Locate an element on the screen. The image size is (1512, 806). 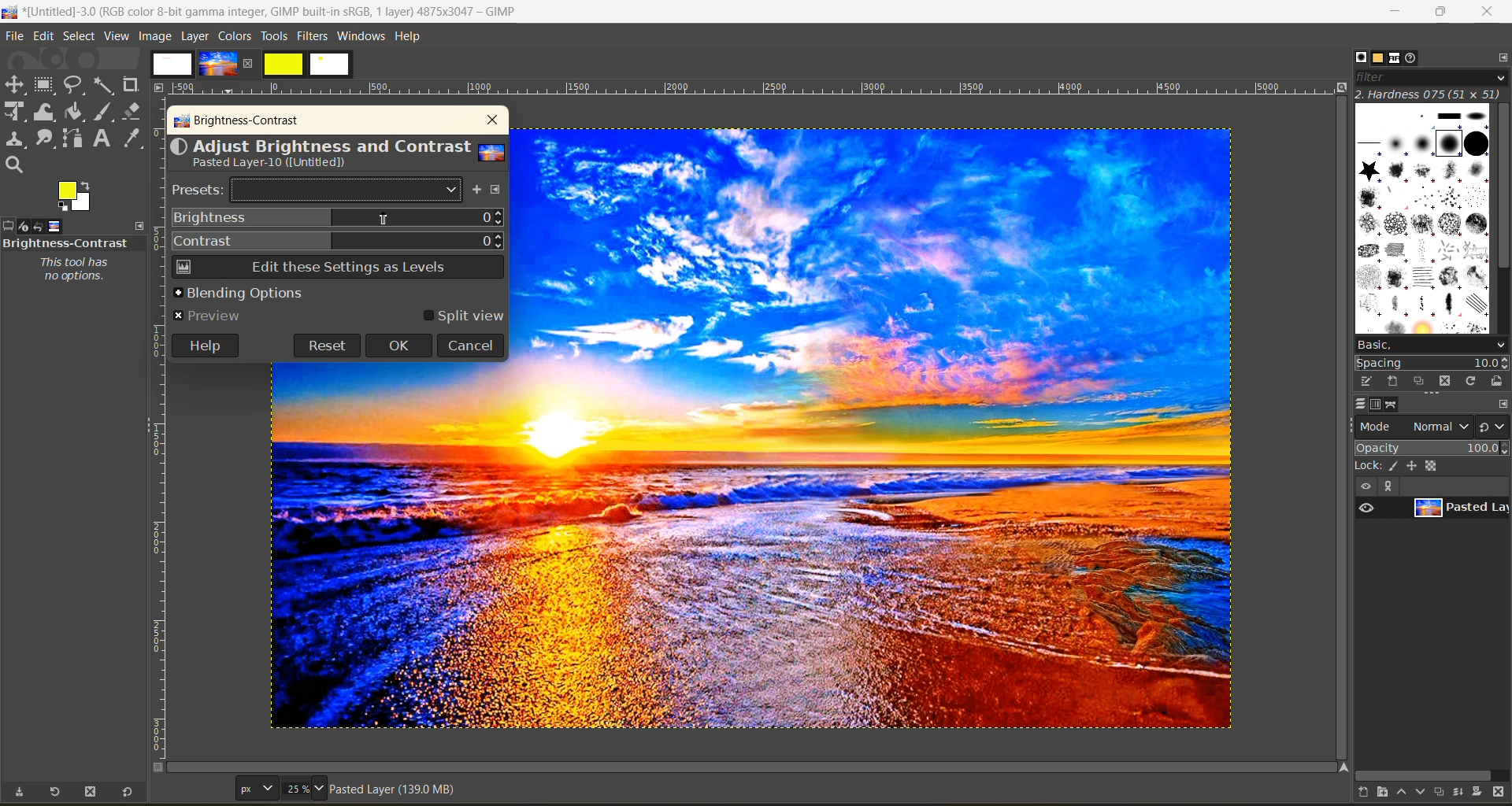
spacing is located at coordinates (1433, 364).